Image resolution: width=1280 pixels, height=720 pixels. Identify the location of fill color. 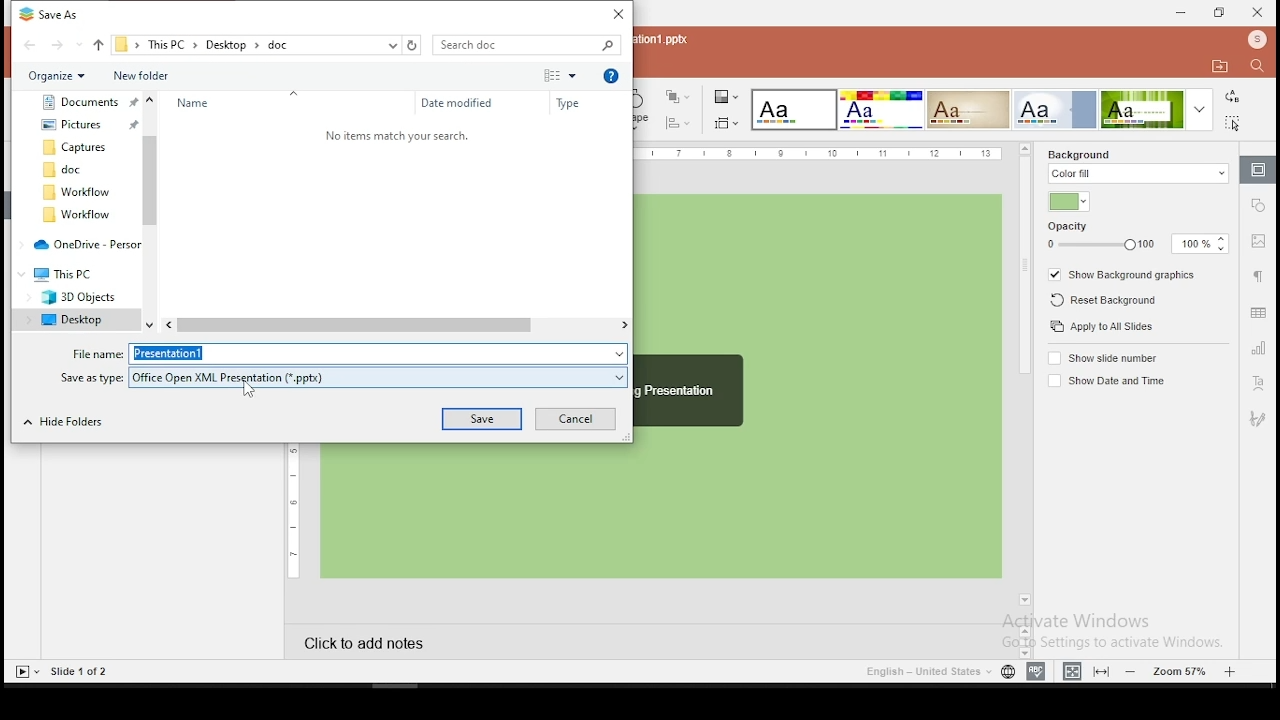
(1068, 202).